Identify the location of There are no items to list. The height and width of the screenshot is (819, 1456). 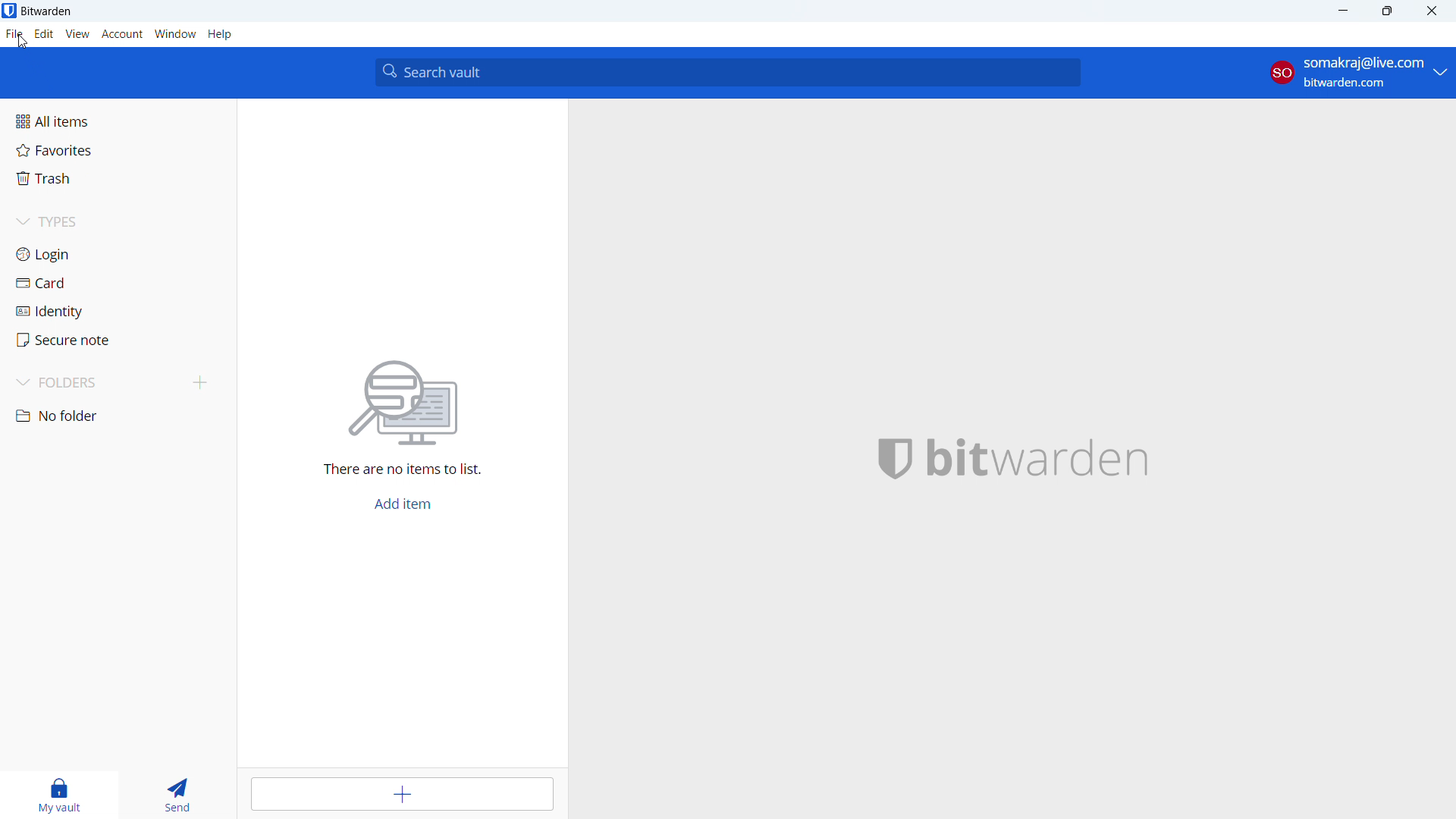
(406, 468).